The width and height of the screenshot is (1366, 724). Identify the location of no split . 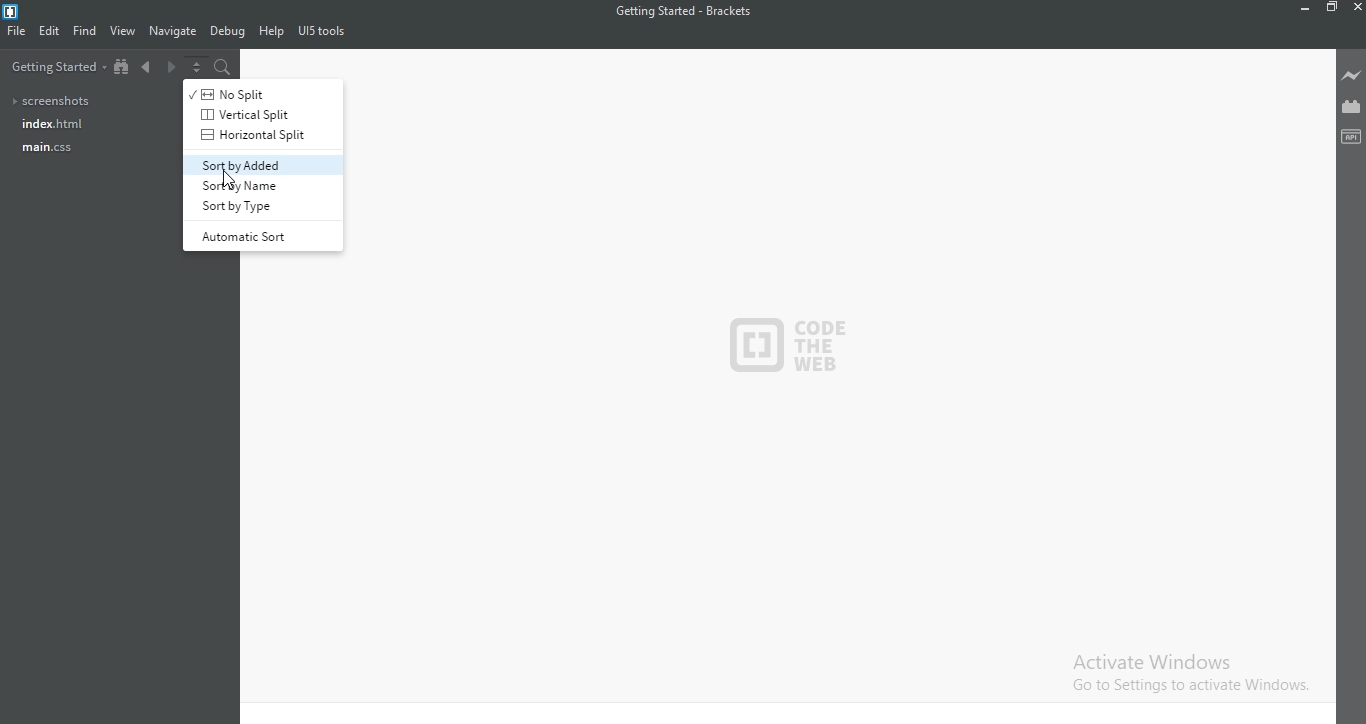
(248, 93).